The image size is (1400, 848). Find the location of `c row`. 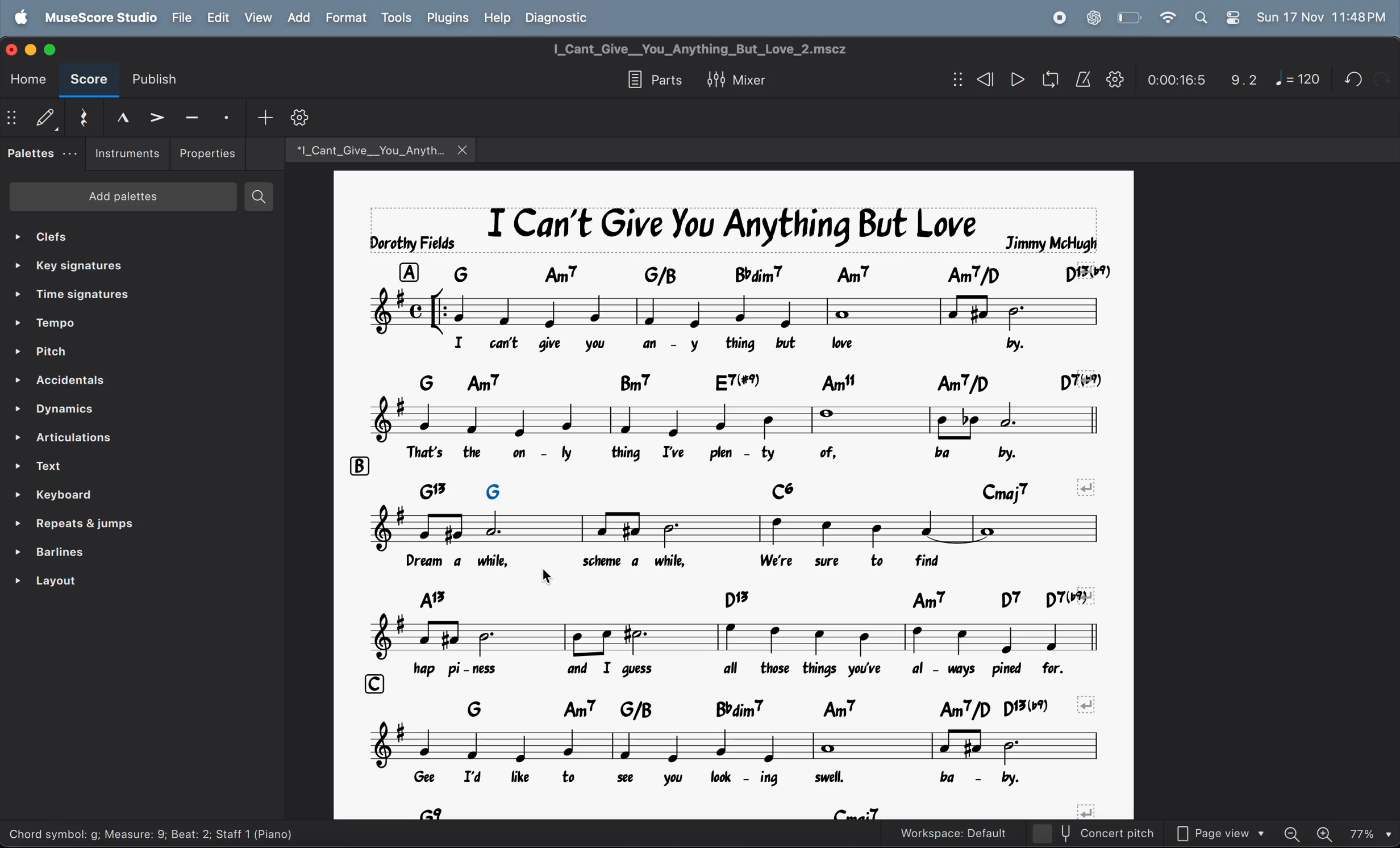

c row is located at coordinates (371, 682).